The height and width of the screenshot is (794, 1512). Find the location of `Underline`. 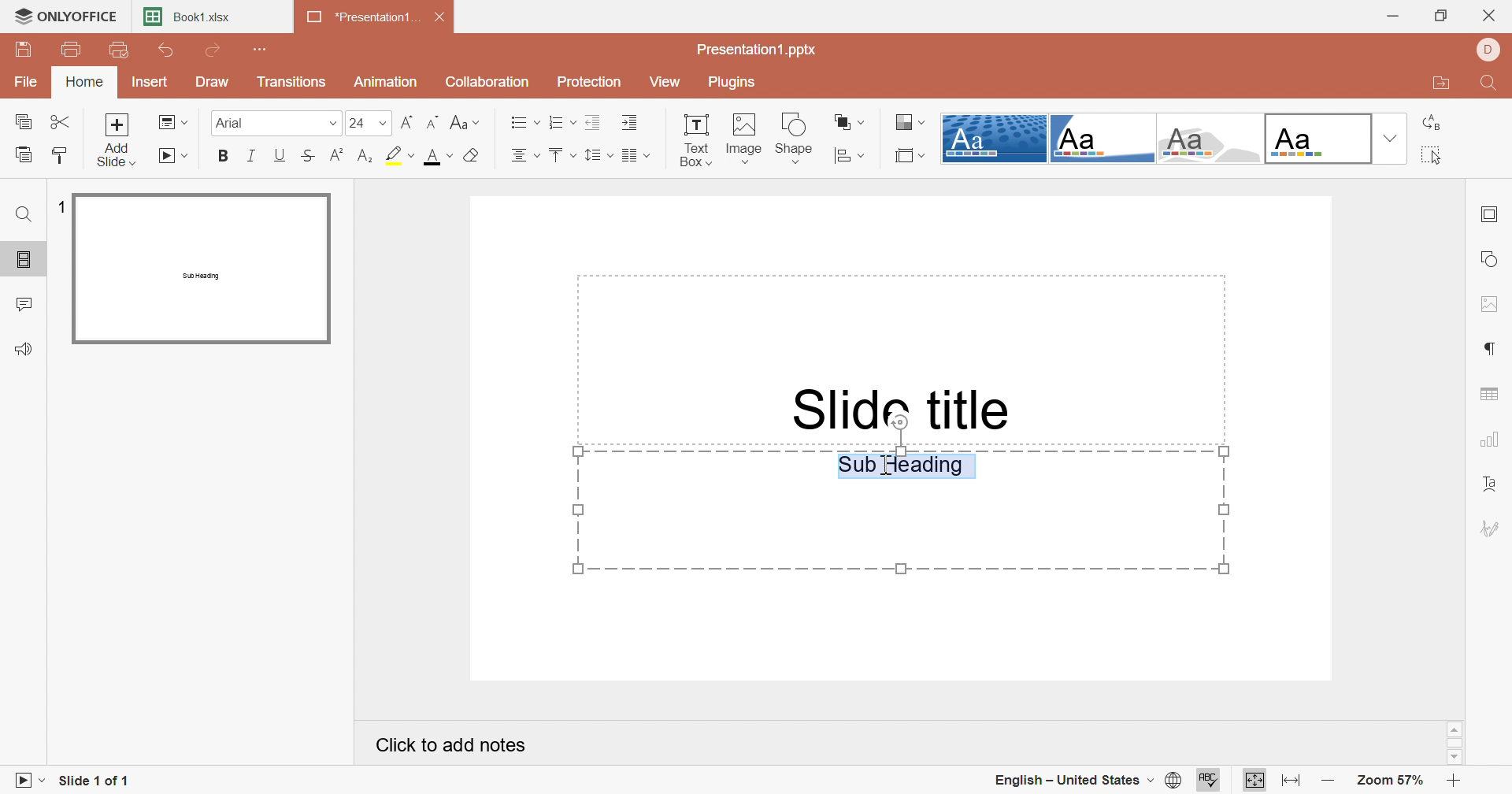

Underline is located at coordinates (283, 155).